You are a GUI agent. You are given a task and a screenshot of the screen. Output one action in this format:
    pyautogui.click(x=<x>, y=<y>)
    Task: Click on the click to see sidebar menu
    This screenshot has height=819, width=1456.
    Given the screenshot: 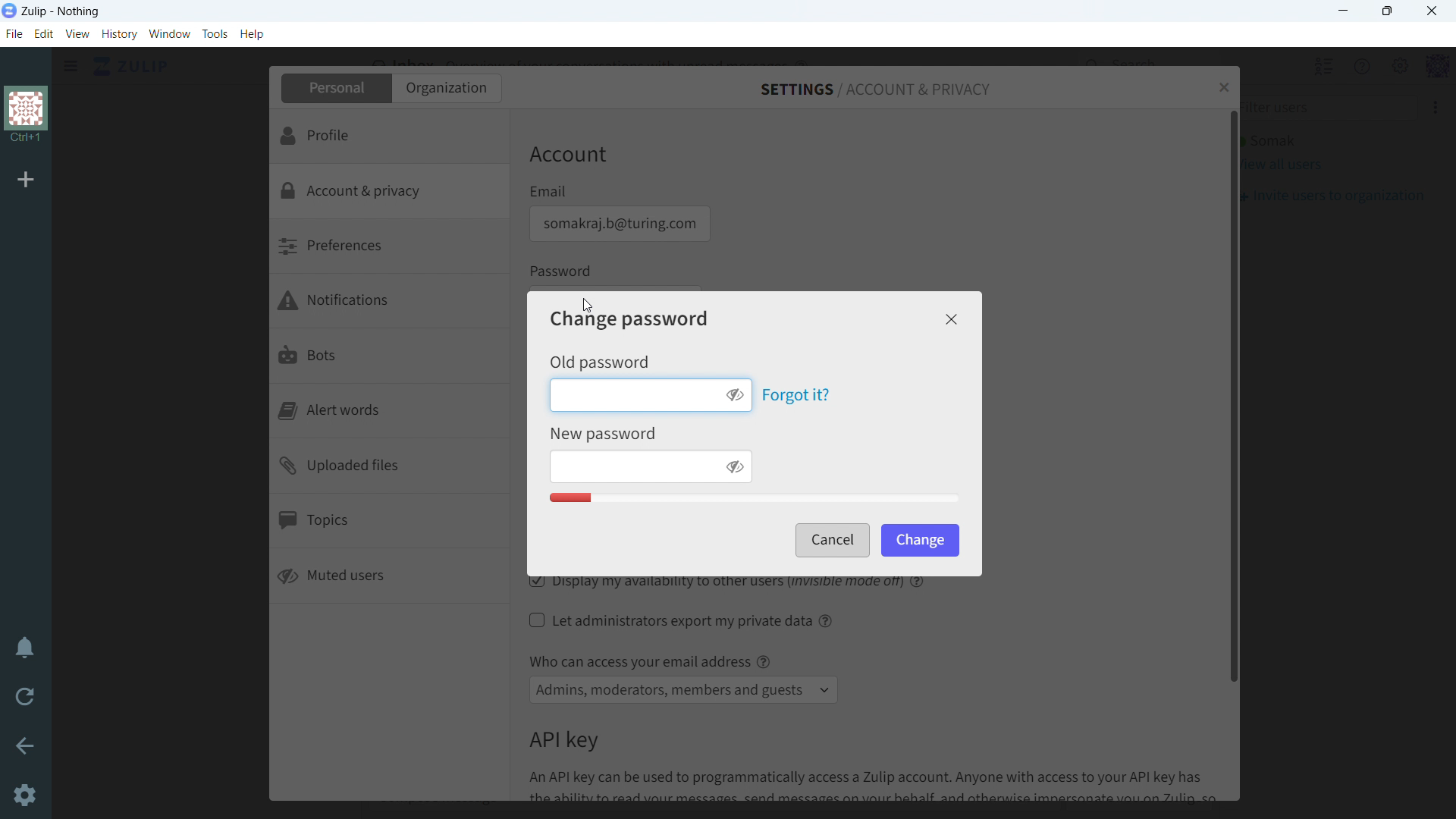 What is the action you would take?
    pyautogui.click(x=71, y=66)
    